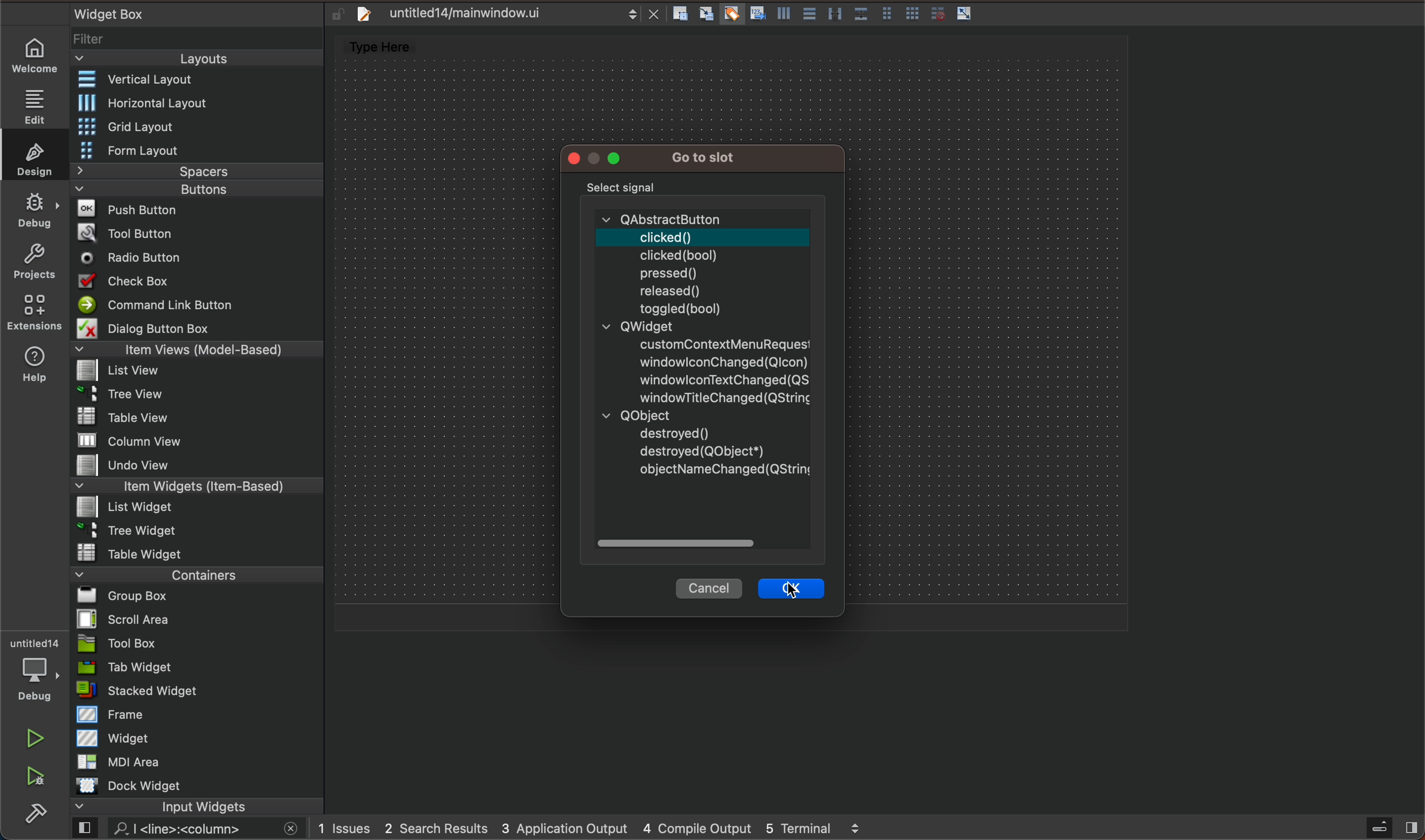 The image size is (1425, 840). I want to click on Extensions, so click(31, 312).